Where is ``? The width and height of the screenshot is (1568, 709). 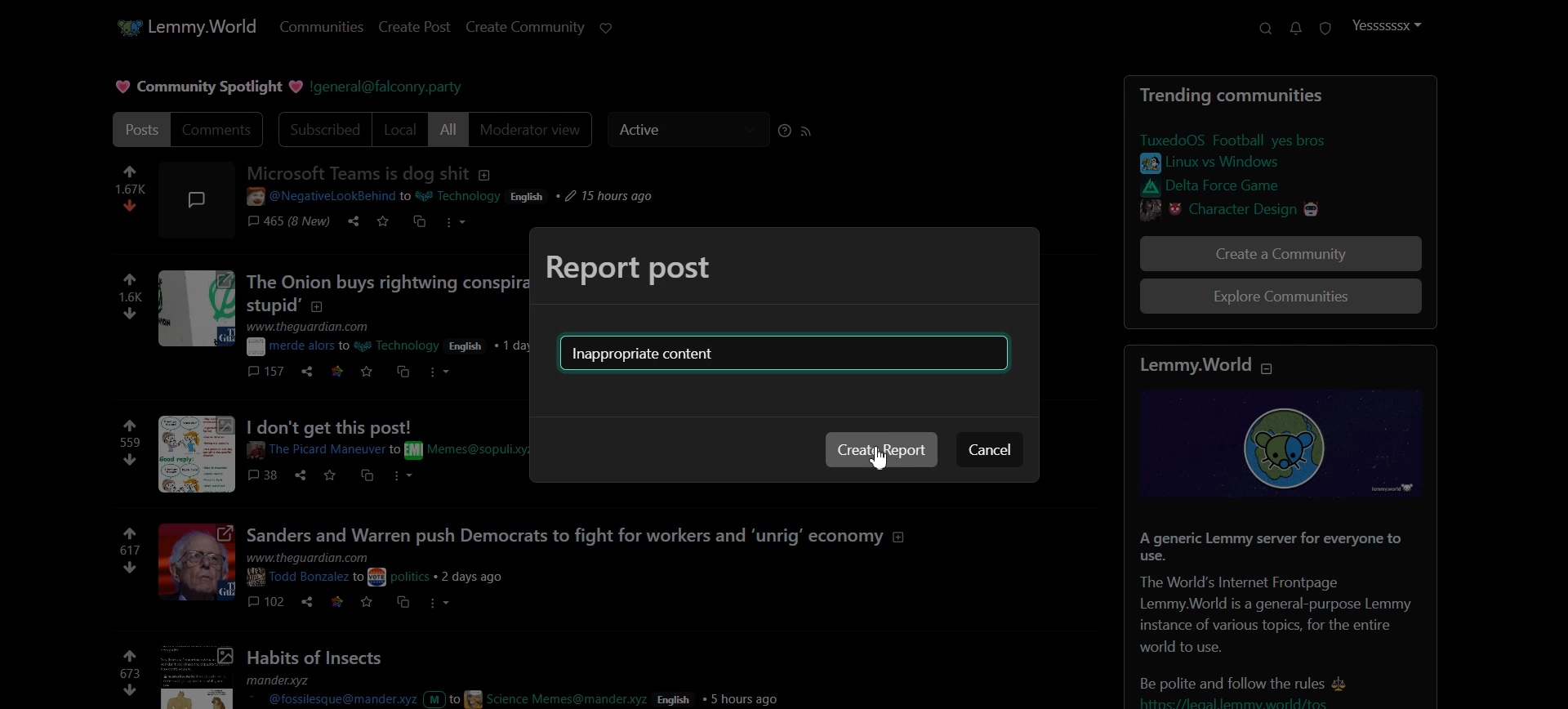
 is located at coordinates (379, 438).